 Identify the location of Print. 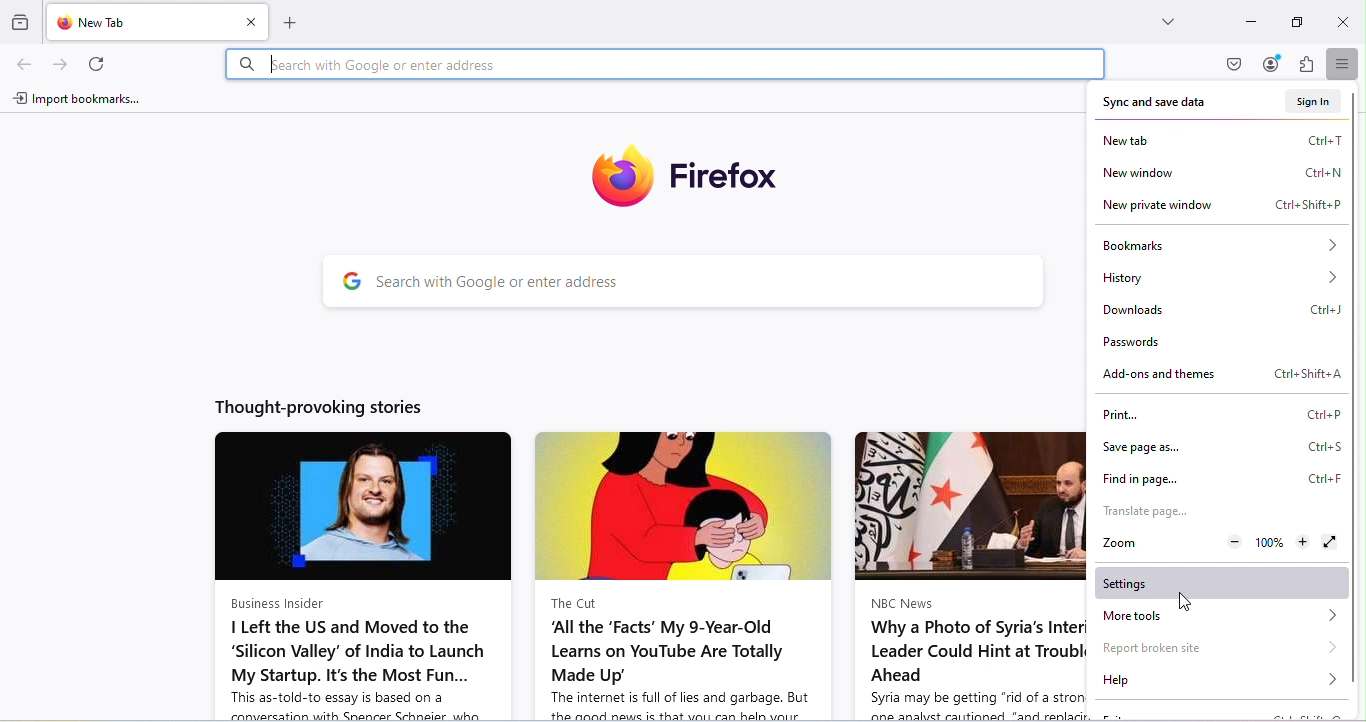
(1222, 416).